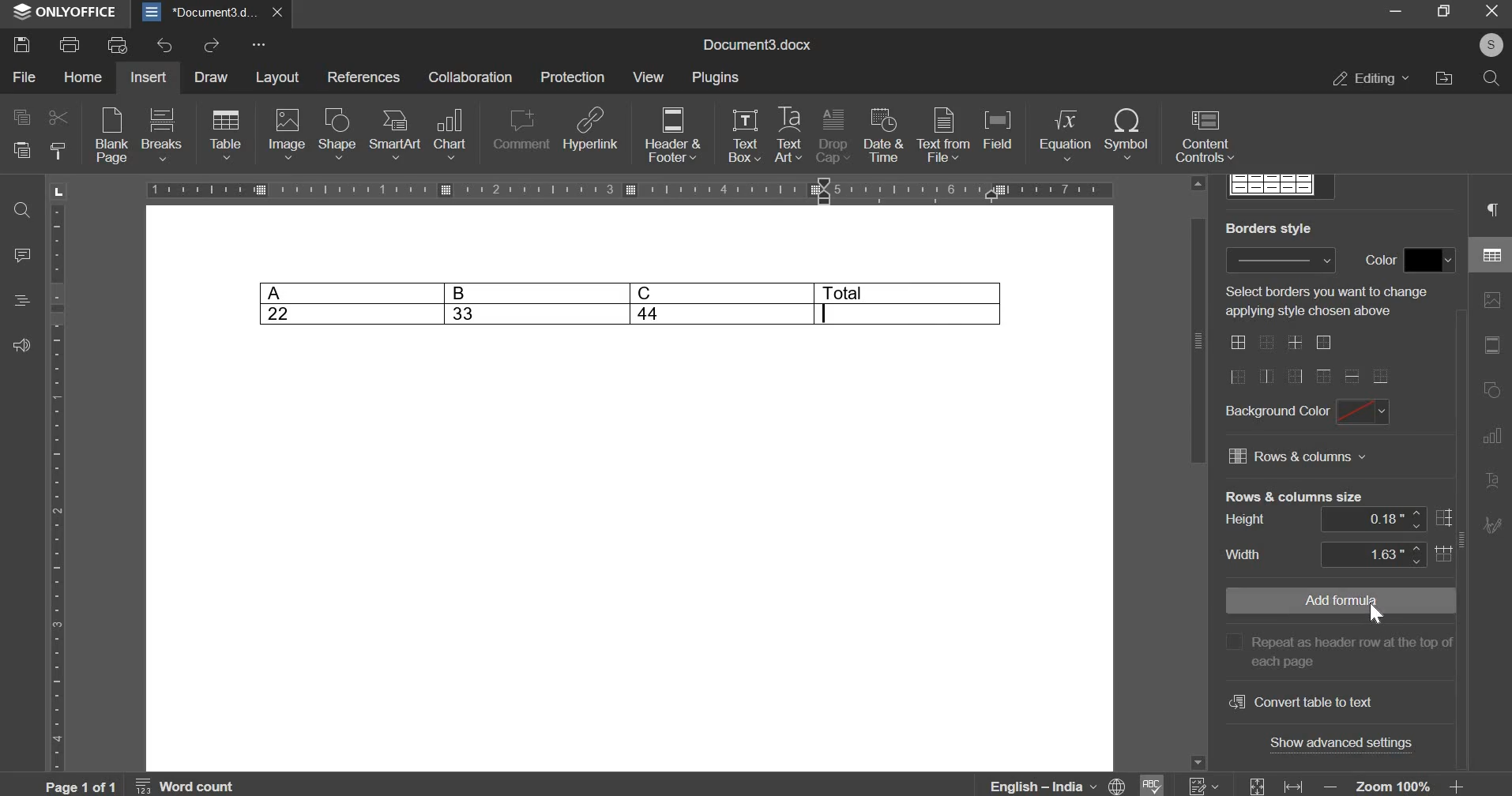 The width and height of the screenshot is (1512, 796). Describe the element at coordinates (1329, 785) in the screenshot. I see `decrease zoom` at that location.